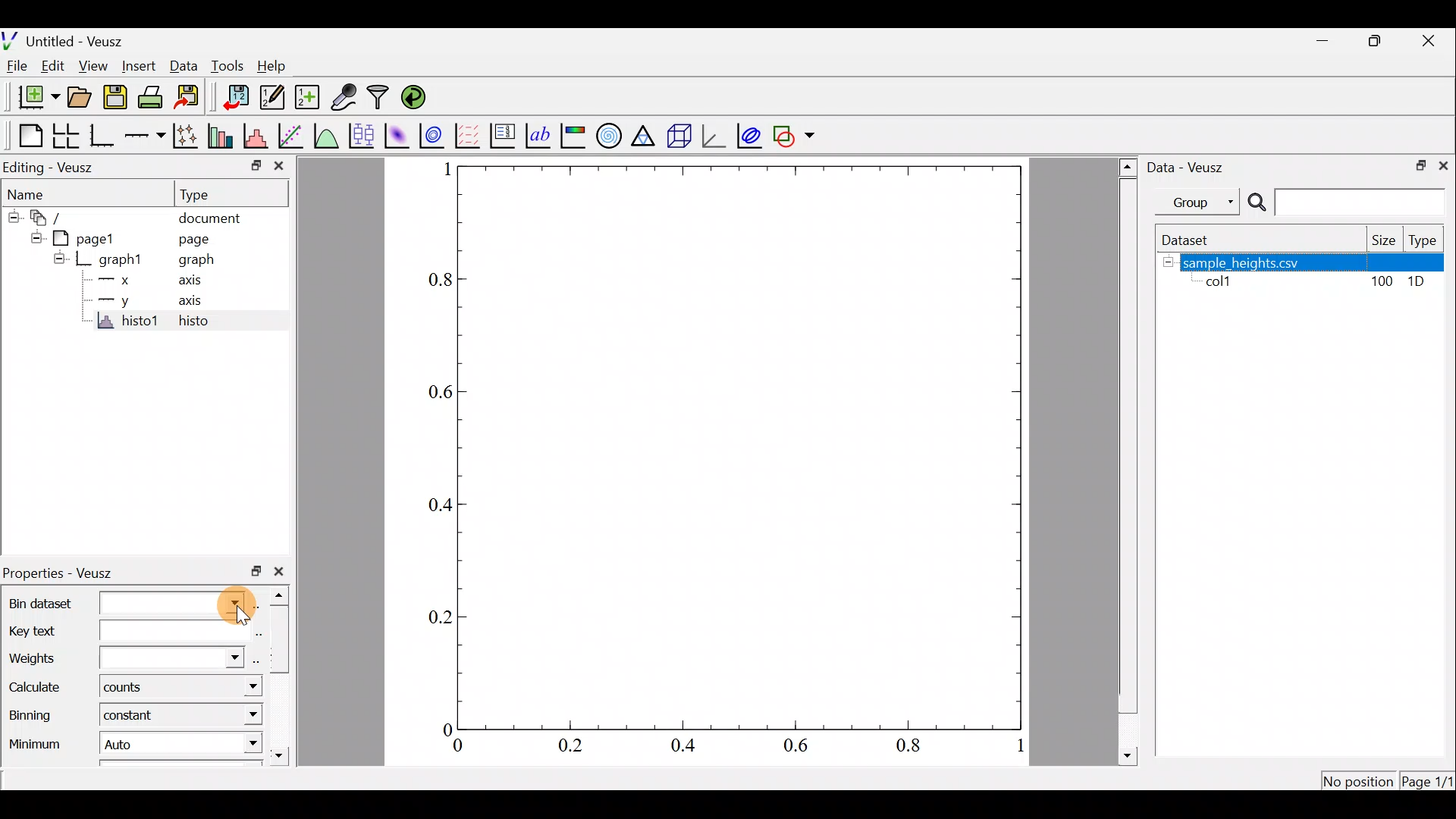 This screenshot has width=1456, height=819. Describe the element at coordinates (381, 96) in the screenshot. I see `Filter data` at that location.